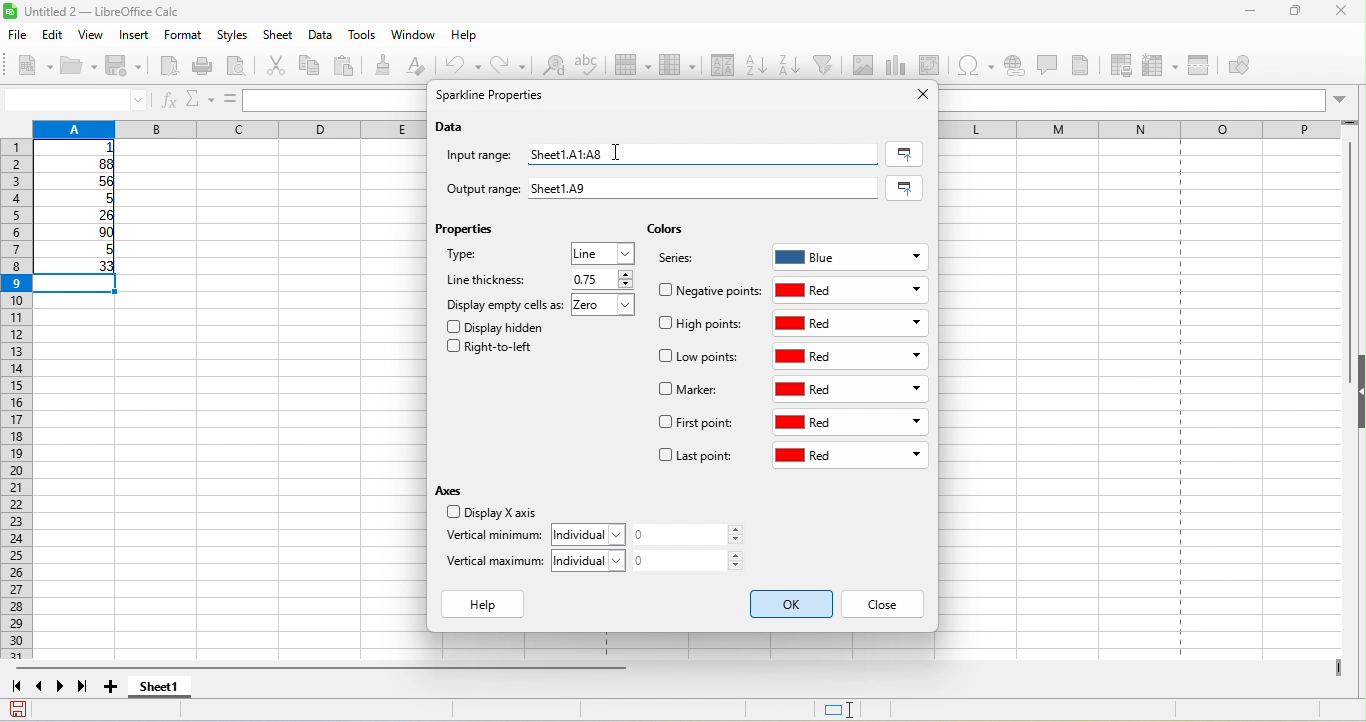 This screenshot has height=722, width=1366. I want to click on column, so click(225, 127).